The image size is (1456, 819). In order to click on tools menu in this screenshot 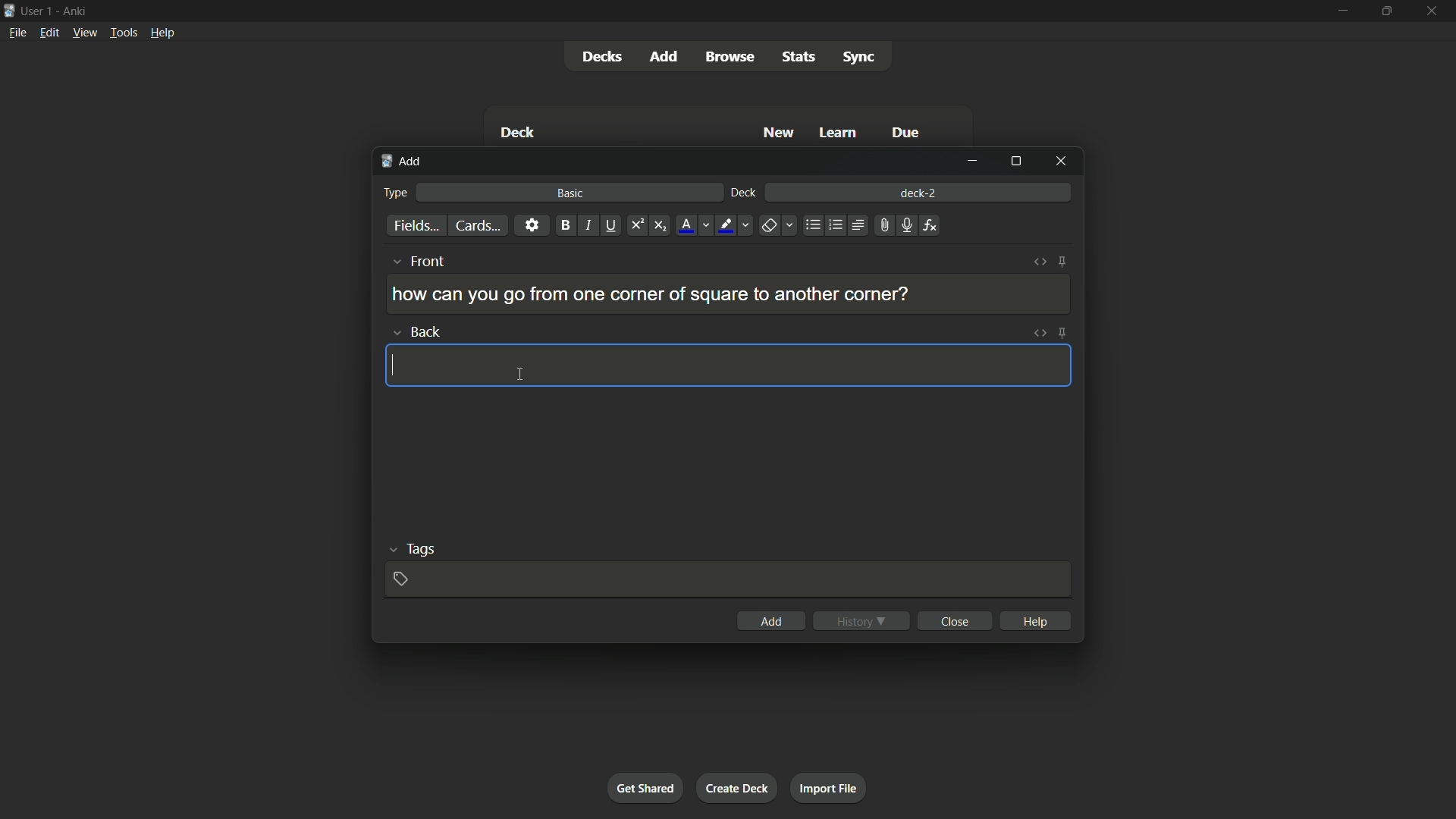, I will do `click(124, 33)`.